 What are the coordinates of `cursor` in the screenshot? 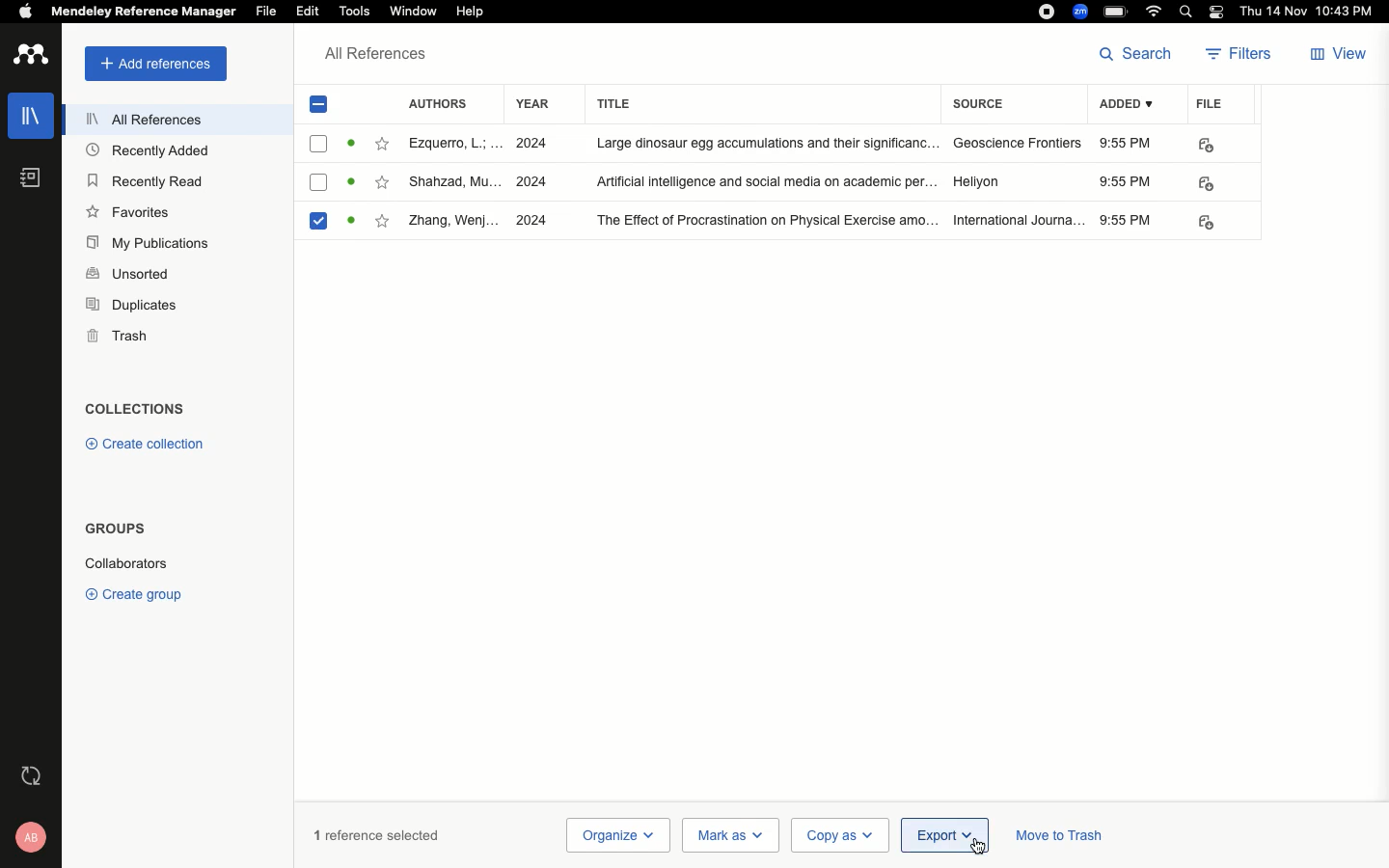 It's located at (963, 843).